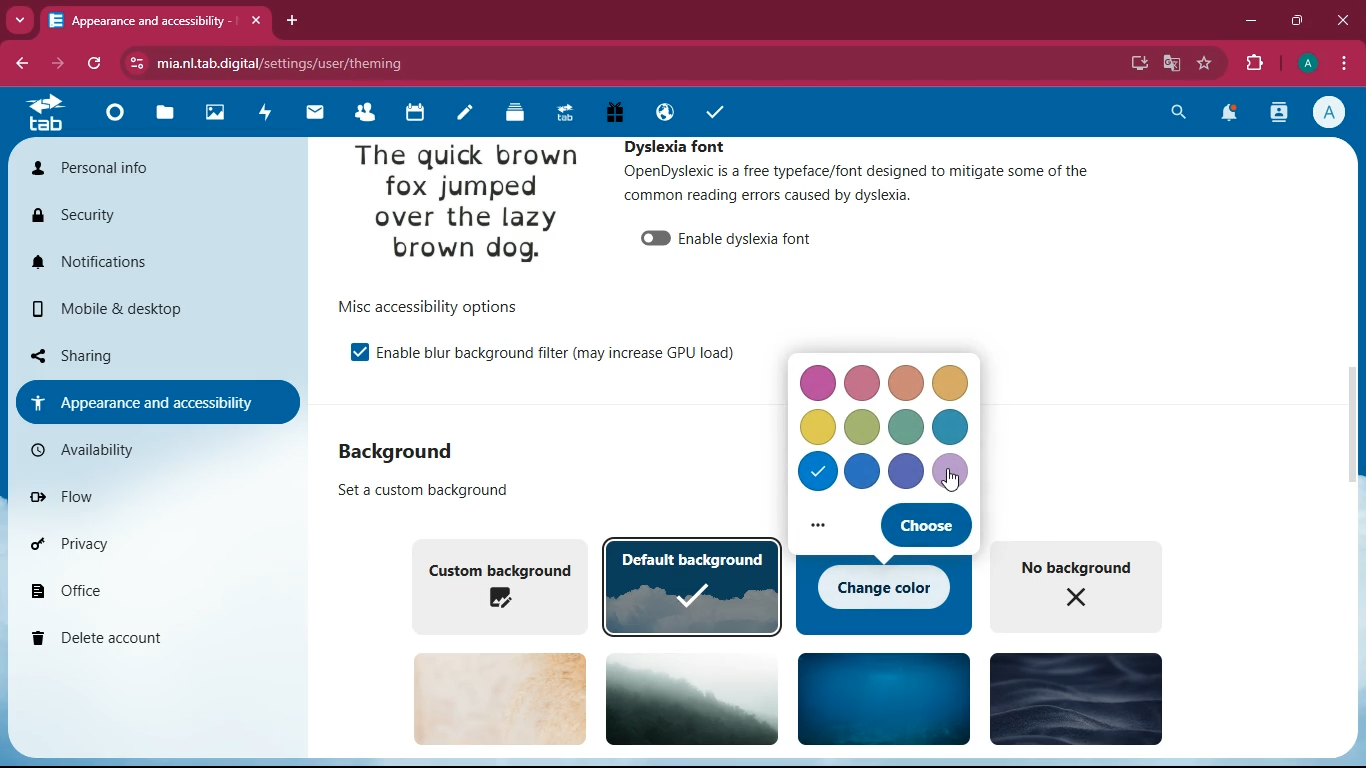 The width and height of the screenshot is (1366, 768). What do you see at coordinates (867, 381) in the screenshot?
I see `color` at bounding box center [867, 381].